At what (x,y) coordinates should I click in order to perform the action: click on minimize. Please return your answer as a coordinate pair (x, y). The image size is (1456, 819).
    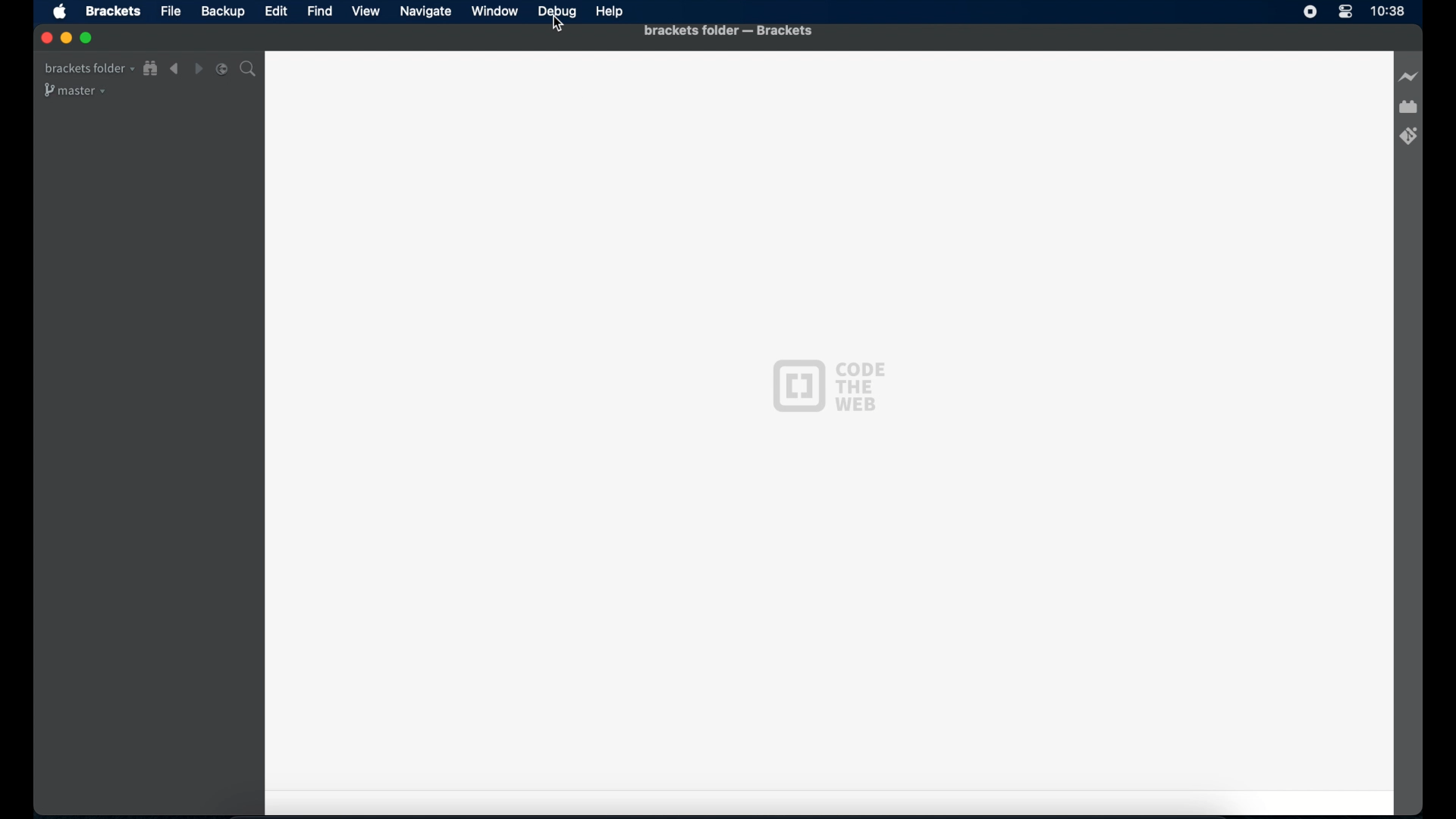
    Looking at the image, I should click on (67, 39).